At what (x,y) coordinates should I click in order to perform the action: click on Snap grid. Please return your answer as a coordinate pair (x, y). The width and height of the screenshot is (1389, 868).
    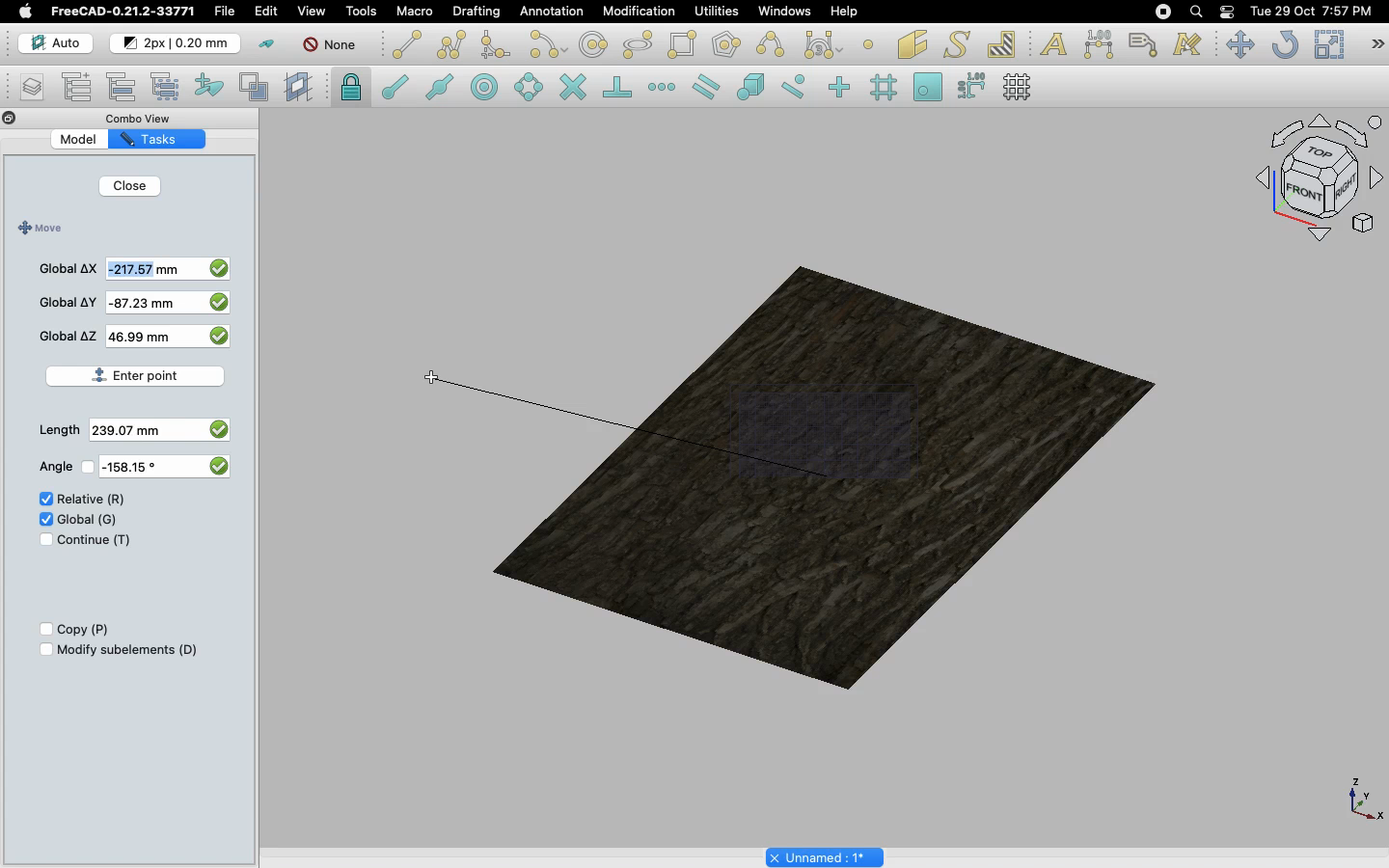
    Looking at the image, I should click on (885, 88).